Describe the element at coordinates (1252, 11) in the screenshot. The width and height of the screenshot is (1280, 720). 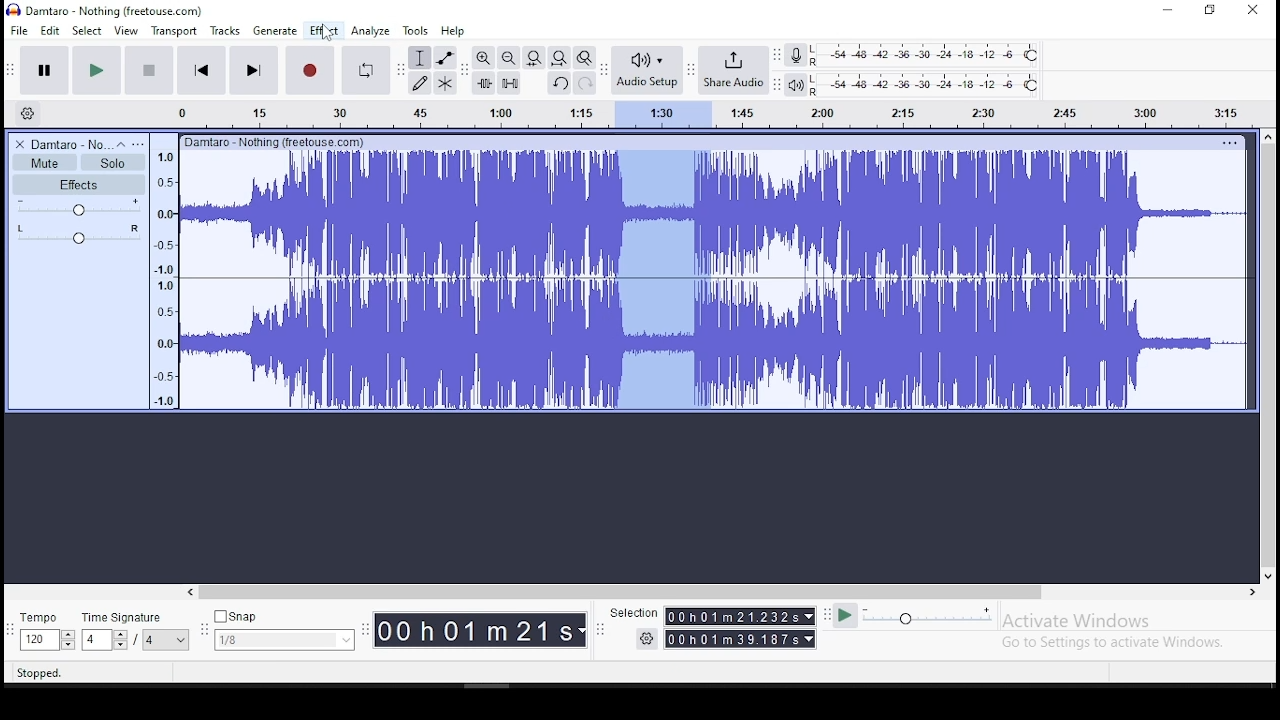
I see `close` at that location.